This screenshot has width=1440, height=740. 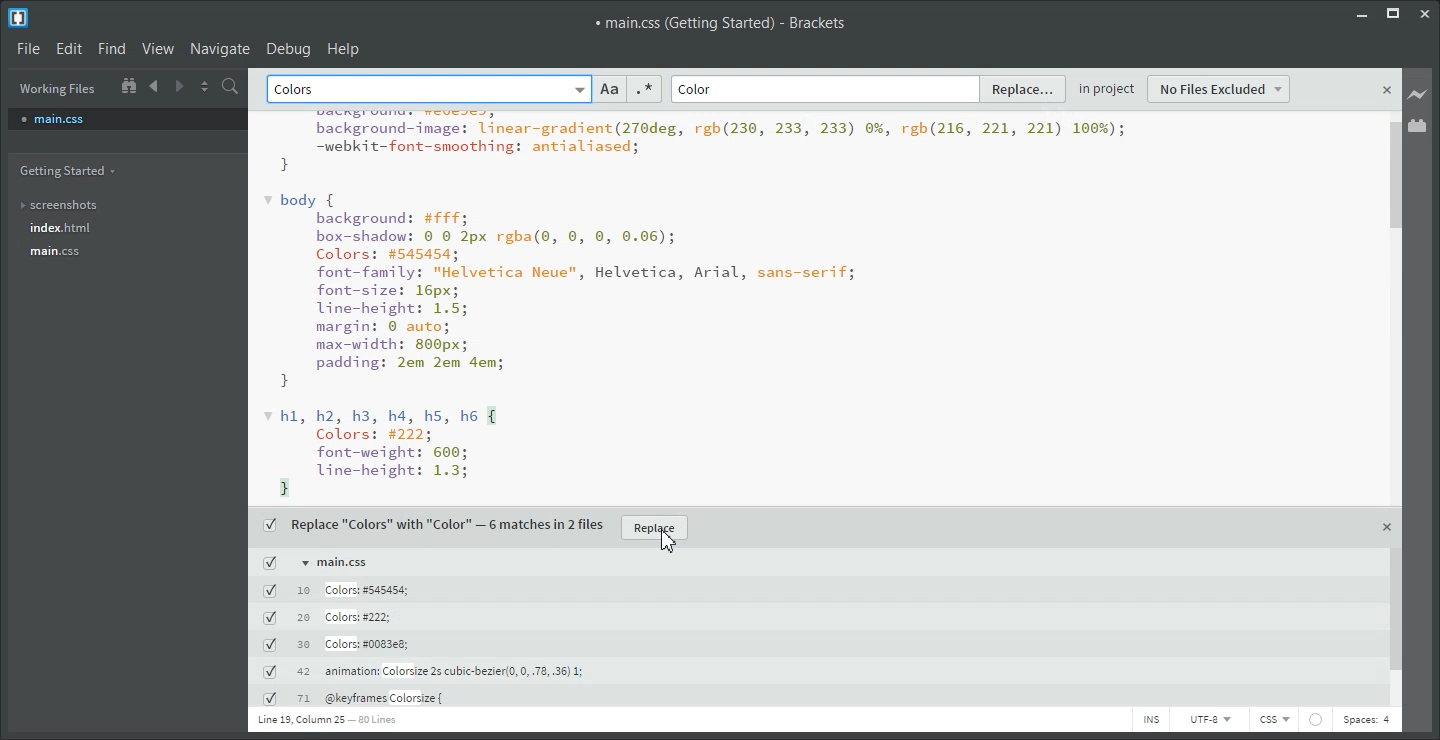 What do you see at coordinates (1025, 88) in the screenshot?
I see `Replace` at bounding box center [1025, 88].